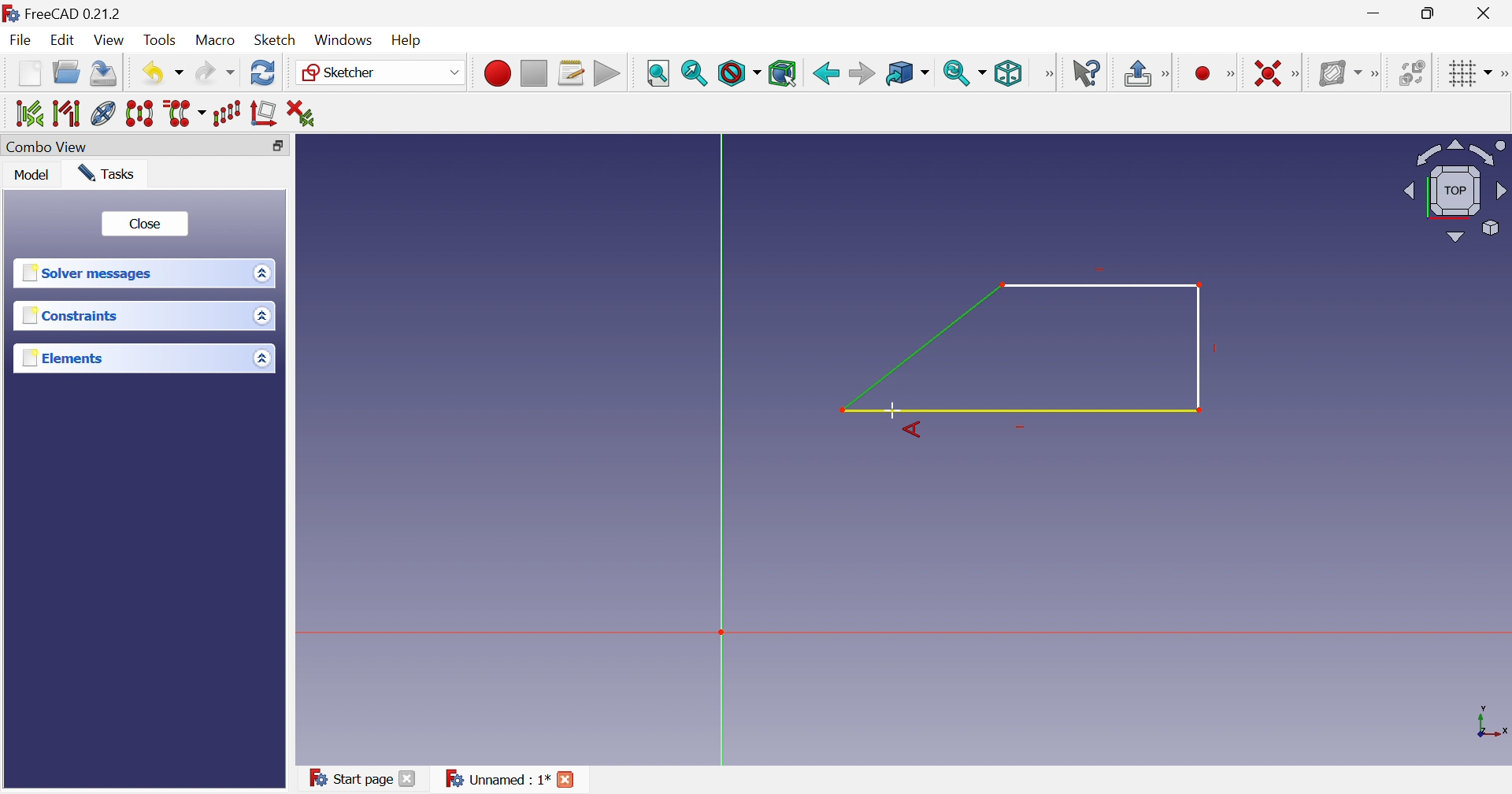  Describe the element at coordinates (1455, 189) in the screenshot. I see `Viewing angle` at that location.